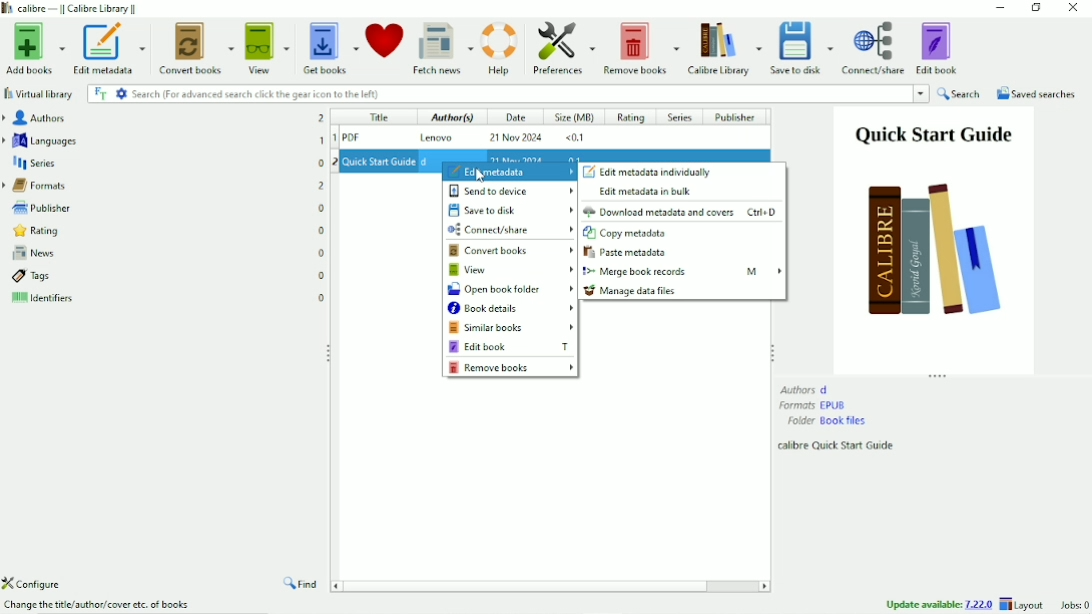 Image resolution: width=1092 pixels, height=614 pixels. Describe the element at coordinates (512, 328) in the screenshot. I see `Similar books` at that location.